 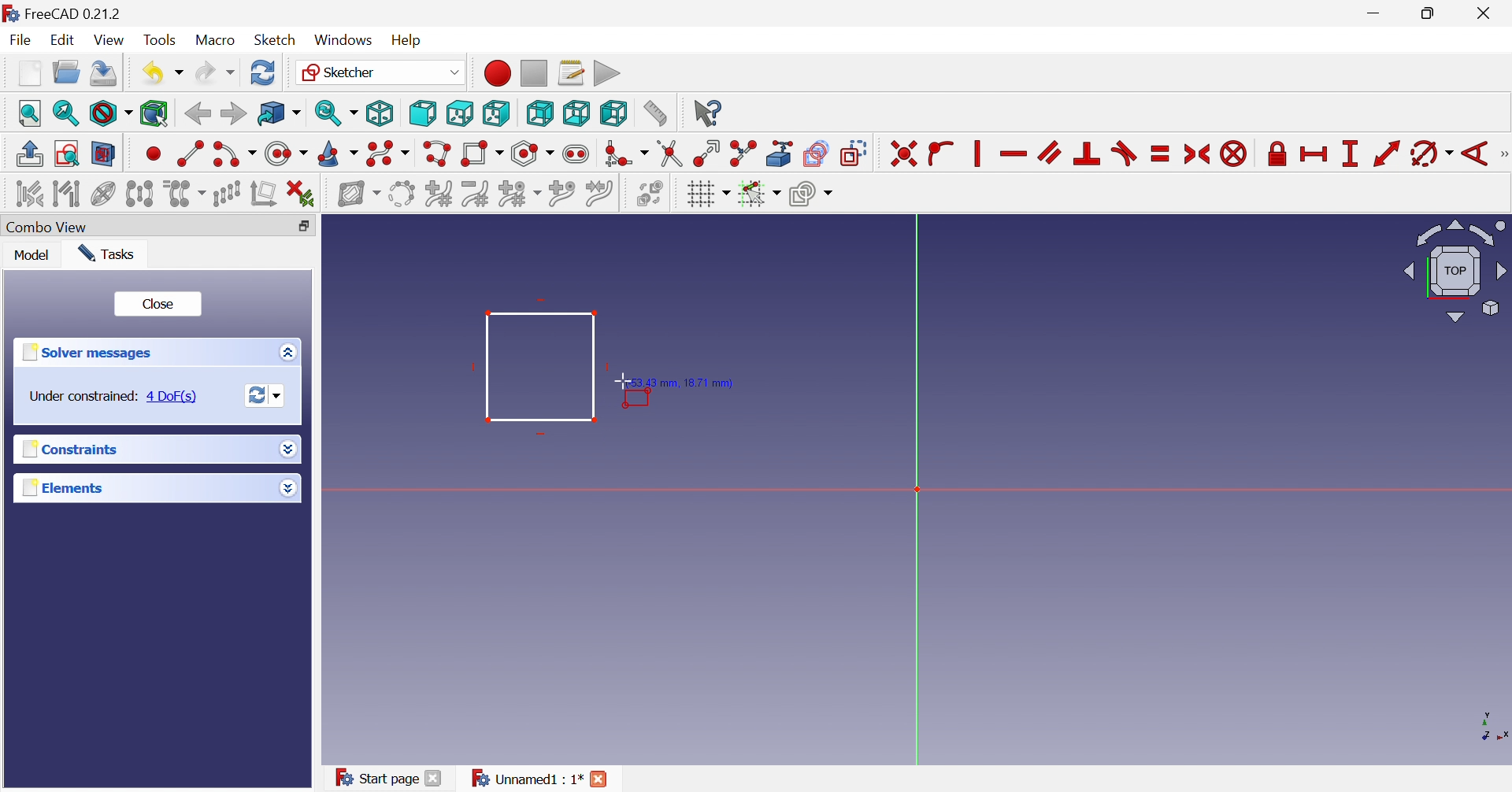 I want to click on Edit, so click(x=65, y=40).